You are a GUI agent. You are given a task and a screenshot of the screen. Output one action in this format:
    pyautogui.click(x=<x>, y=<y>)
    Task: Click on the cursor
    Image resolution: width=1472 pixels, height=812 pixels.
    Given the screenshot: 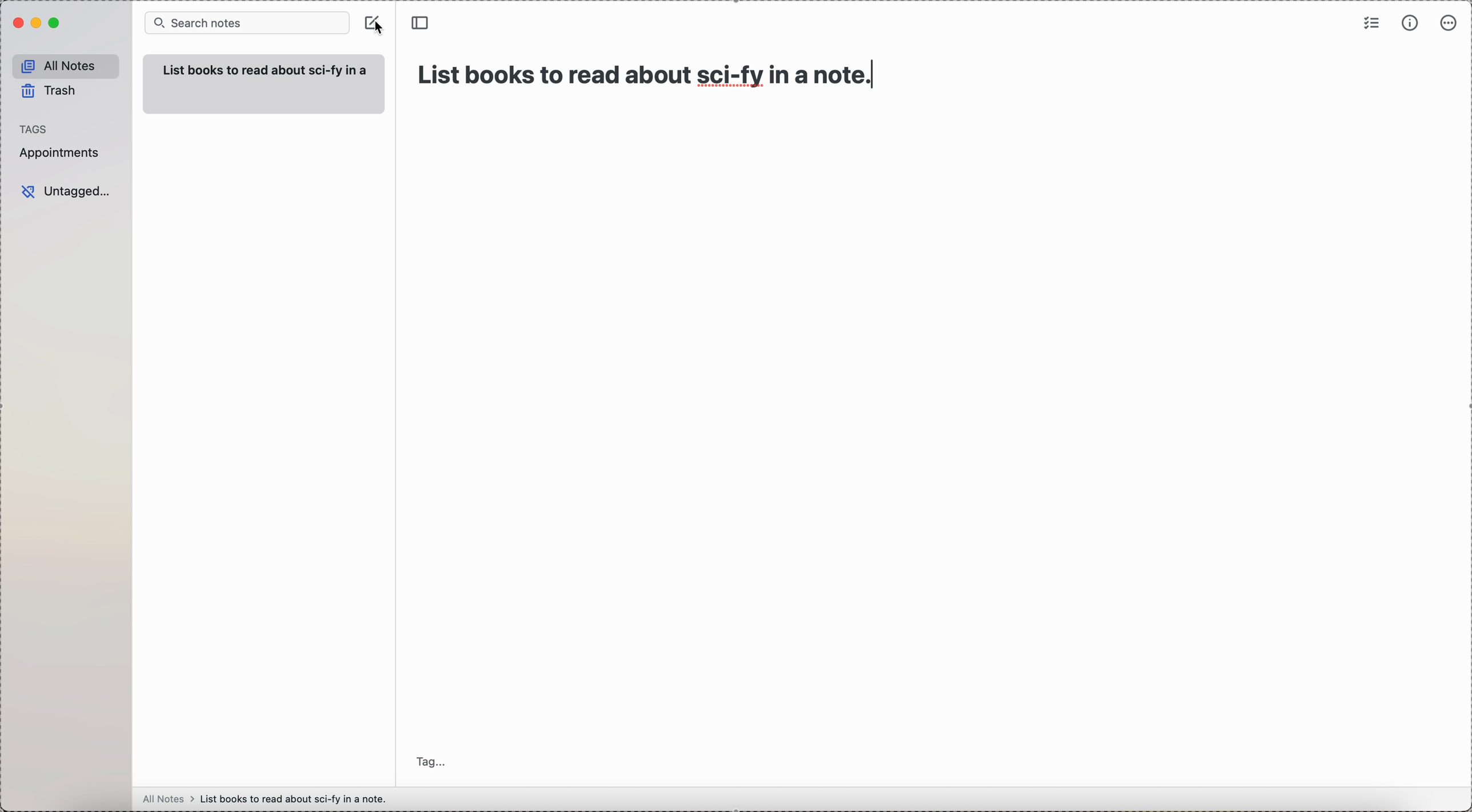 What is the action you would take?
    pyautogui.click(x=386, y=30)
    